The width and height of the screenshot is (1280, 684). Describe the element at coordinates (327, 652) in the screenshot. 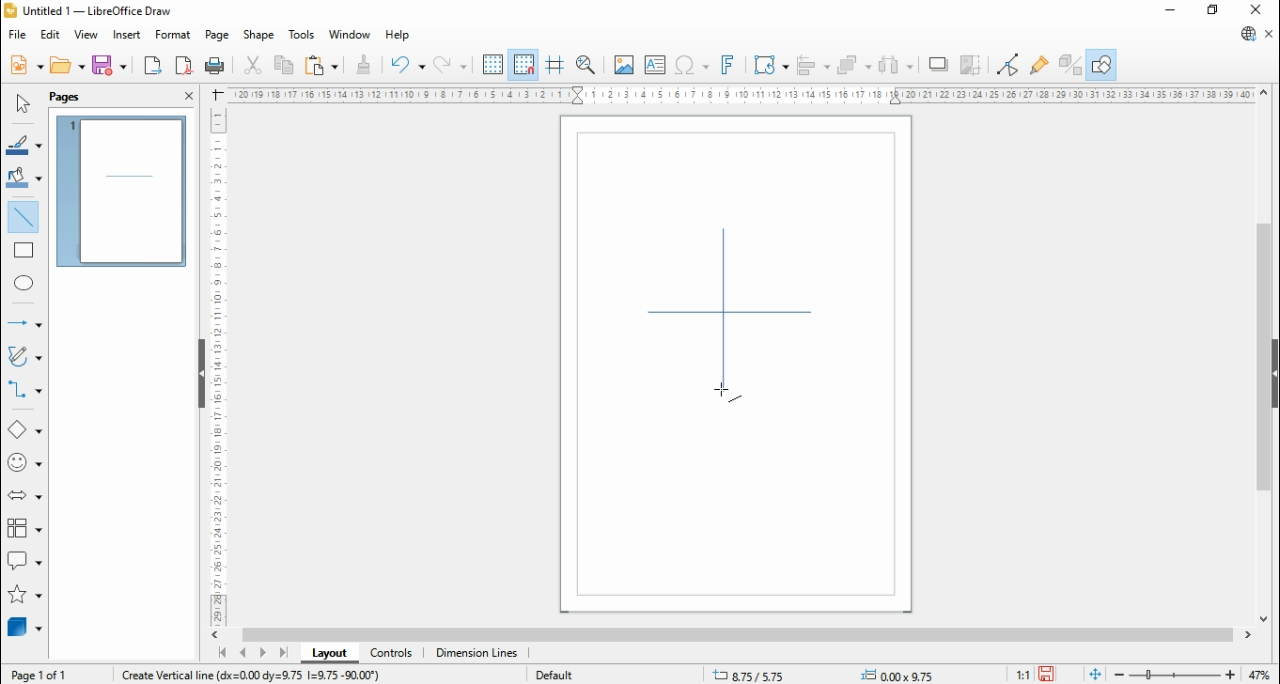

I see `layout` at that location.